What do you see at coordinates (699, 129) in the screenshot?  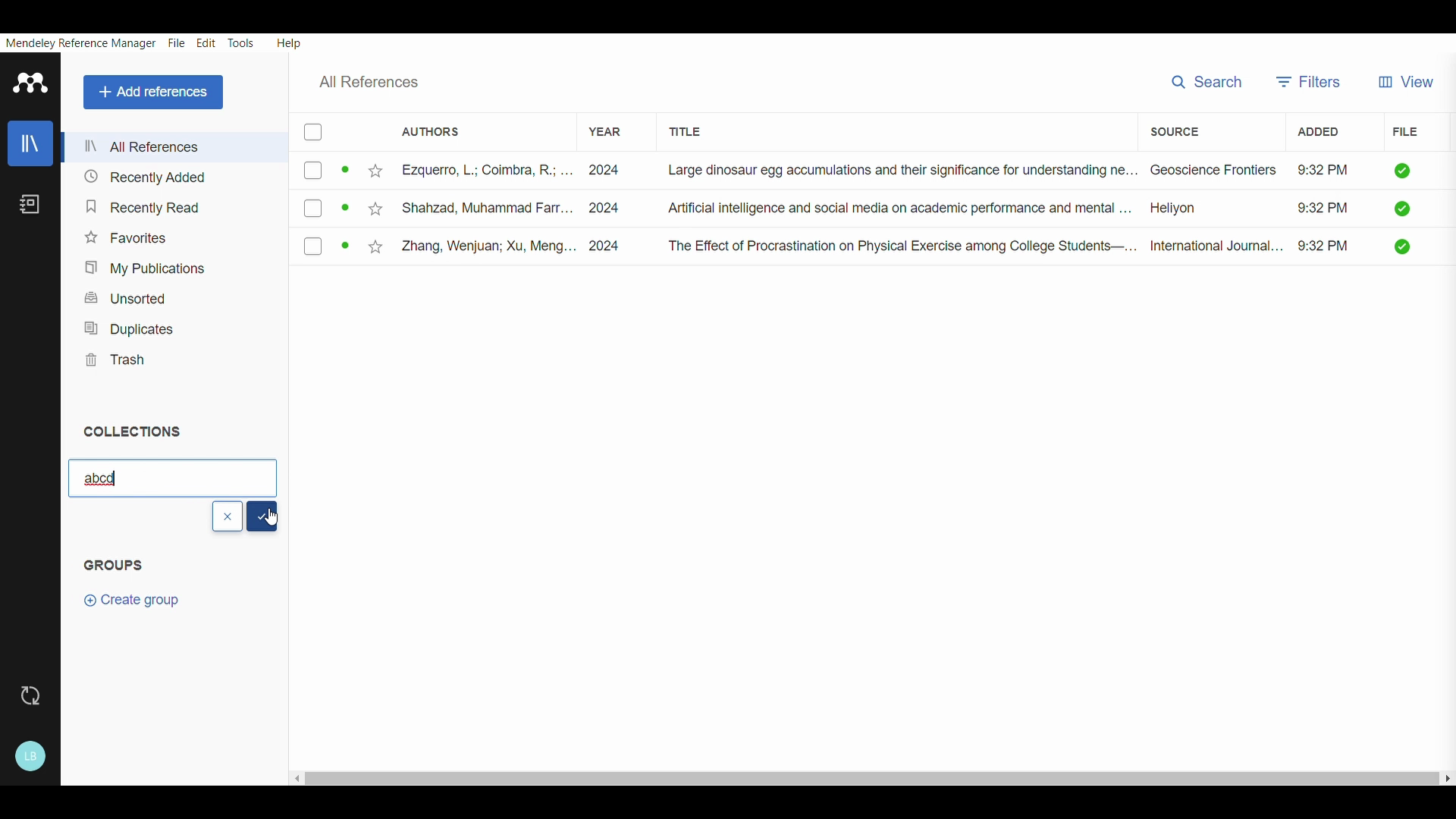 I see `TITLE` at bounding box center [699, 129].